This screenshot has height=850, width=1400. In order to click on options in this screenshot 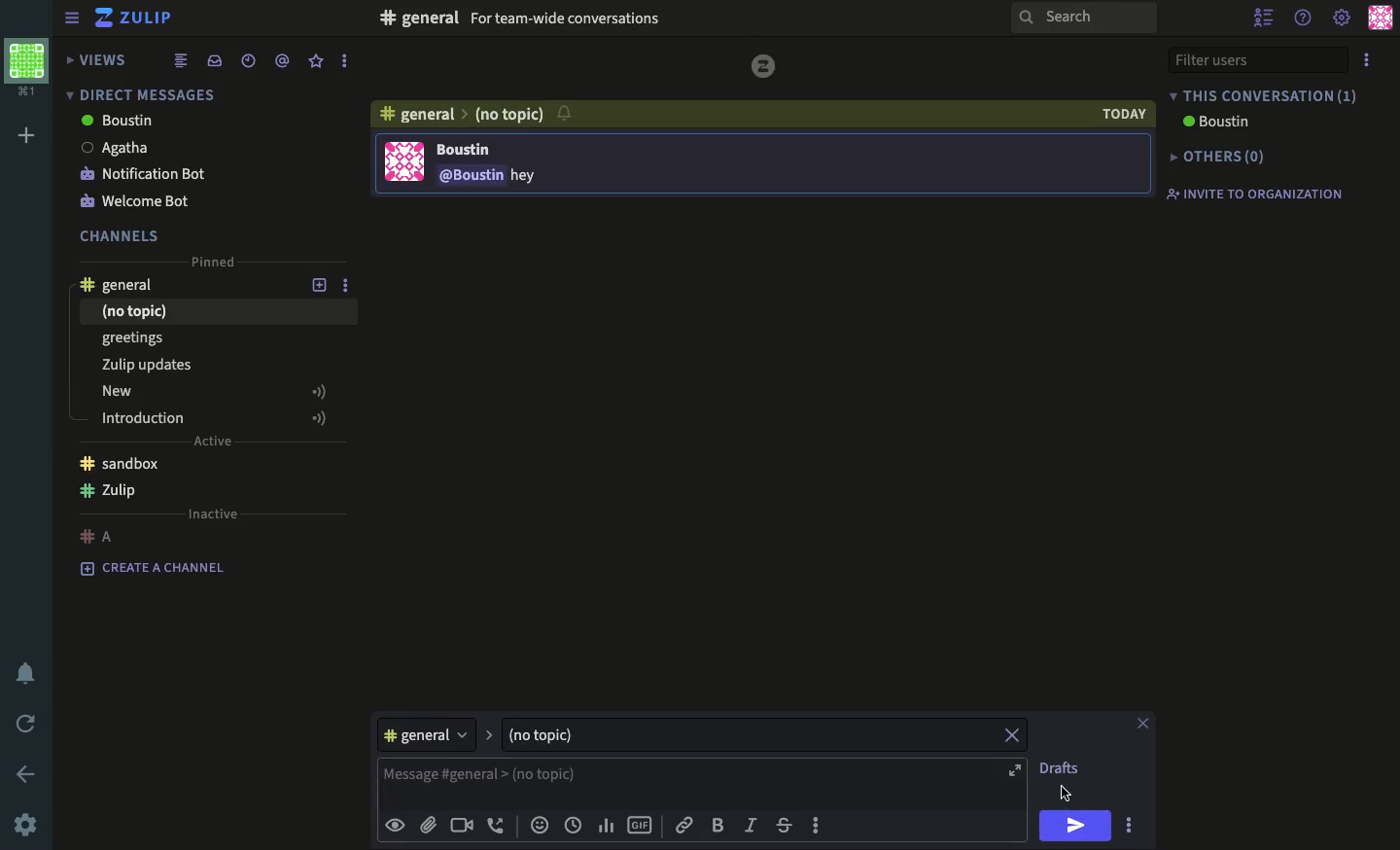, I will do `click(1369, 59)`.